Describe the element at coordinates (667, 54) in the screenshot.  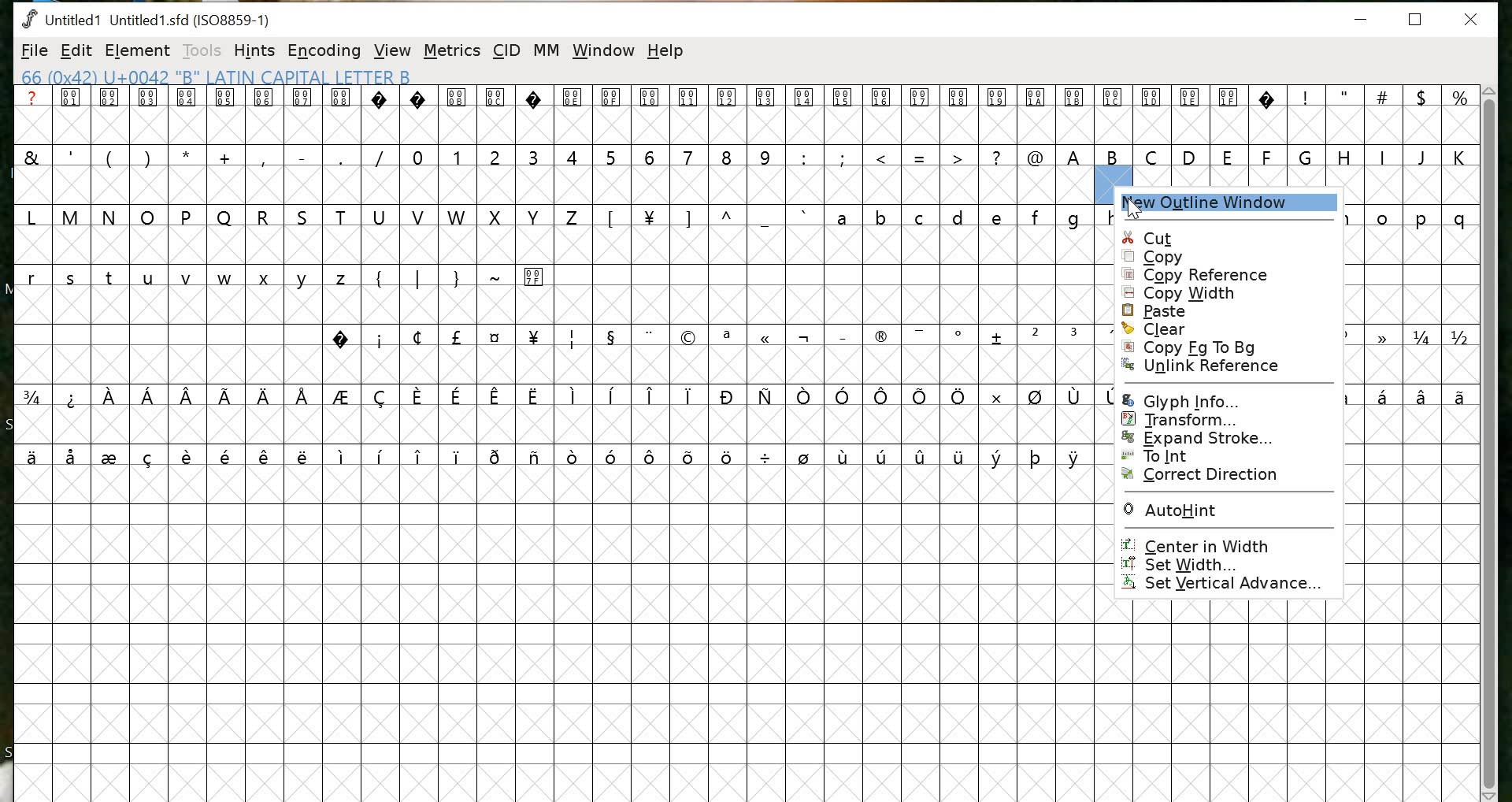
I see `help` at that location.